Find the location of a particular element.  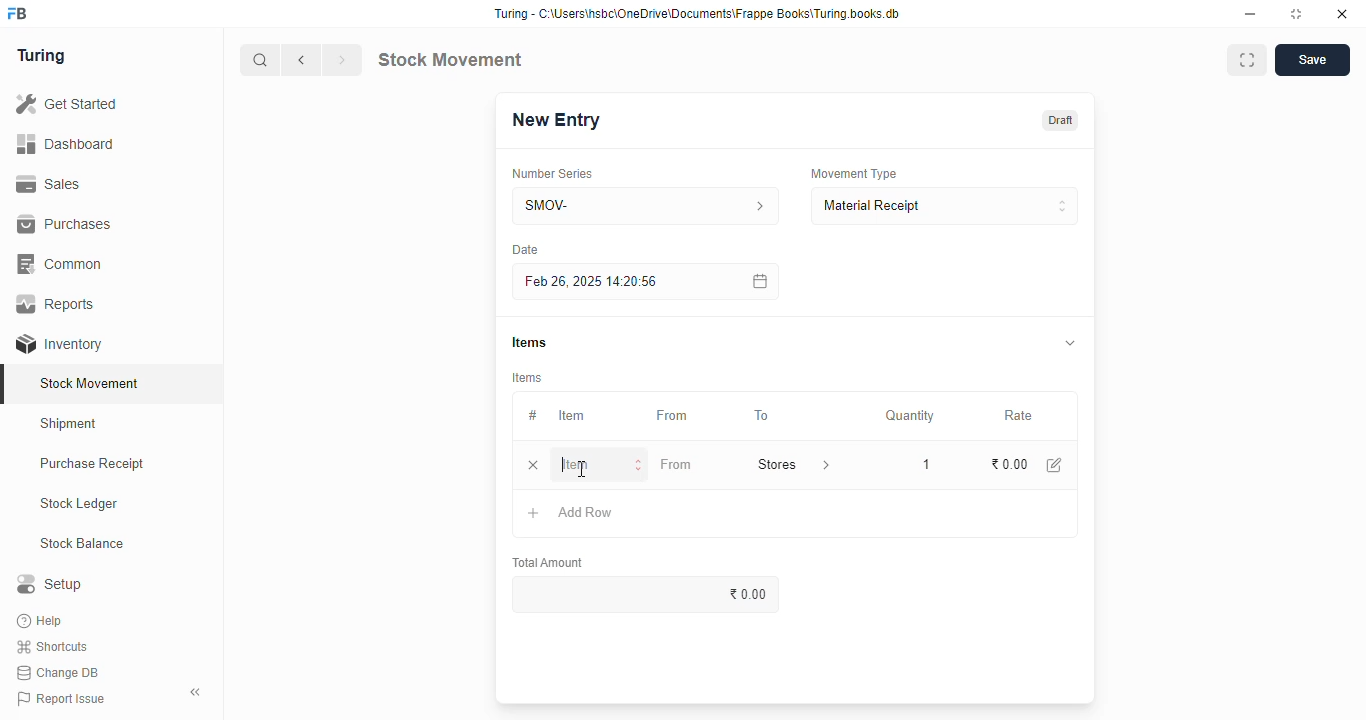

minimize is located at coordinates (1250, 15).